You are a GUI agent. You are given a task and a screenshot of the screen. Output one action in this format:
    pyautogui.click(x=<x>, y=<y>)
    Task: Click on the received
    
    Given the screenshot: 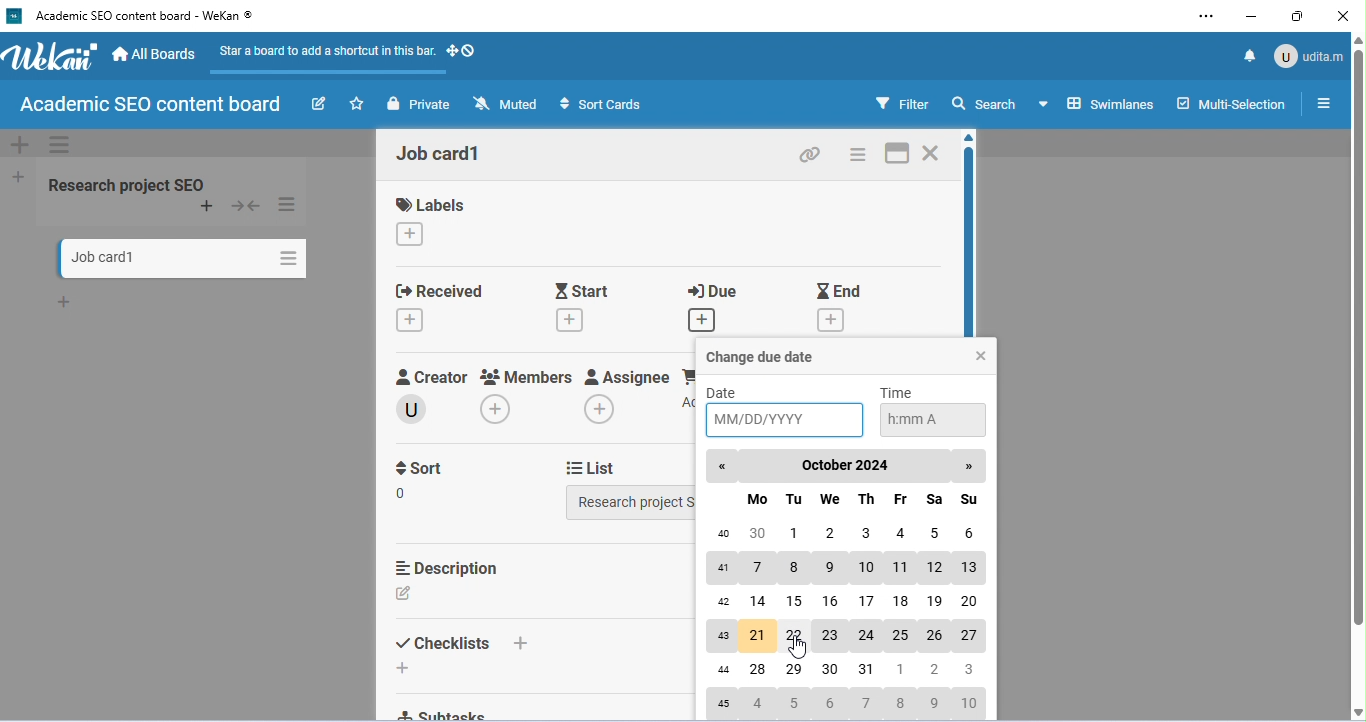 What is the action you would take?
    pyautogui.click(x=452, y=290)
    